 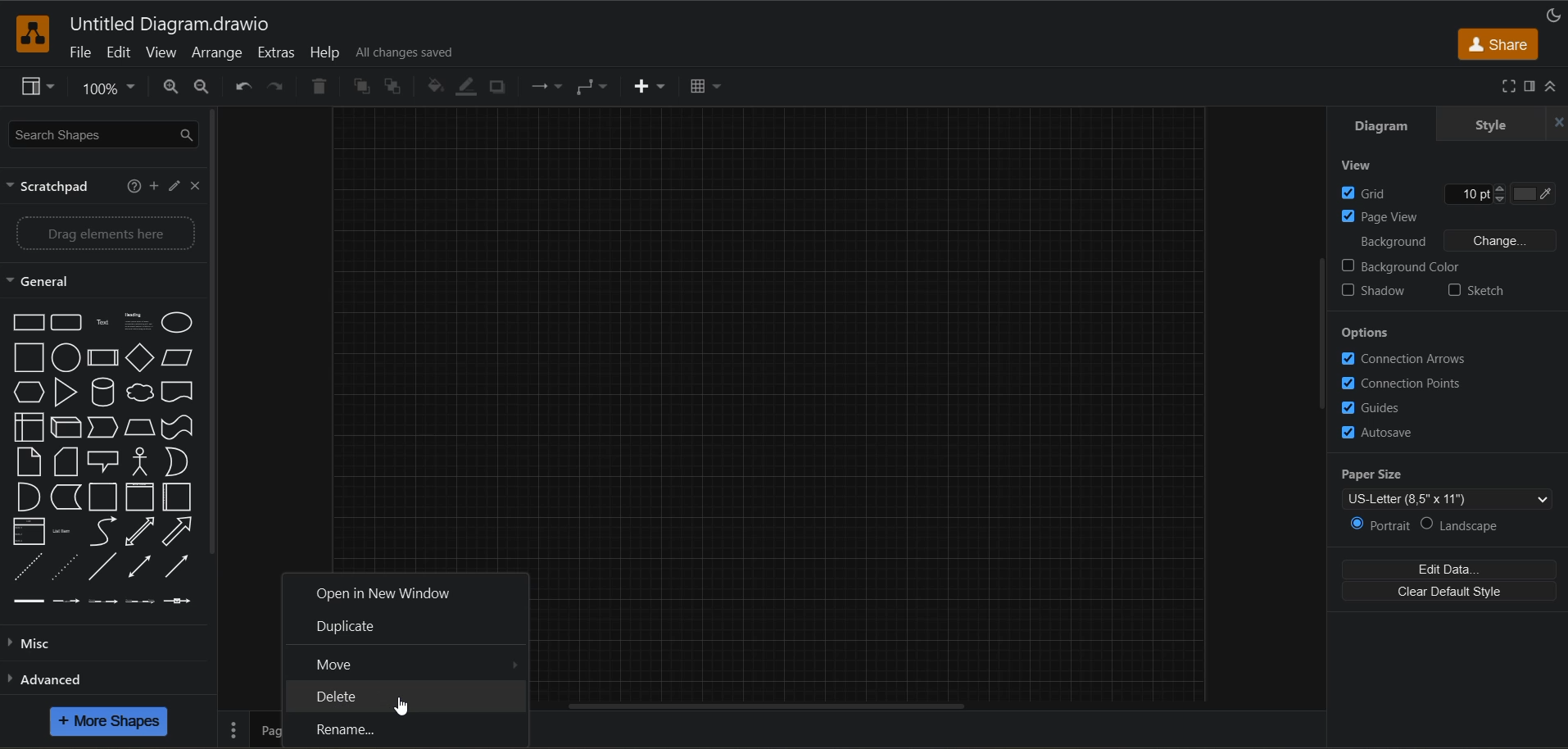 What do you see at coordinates (79, 52) in the screenshot?
I see `file` at bounding box center [79, 52].